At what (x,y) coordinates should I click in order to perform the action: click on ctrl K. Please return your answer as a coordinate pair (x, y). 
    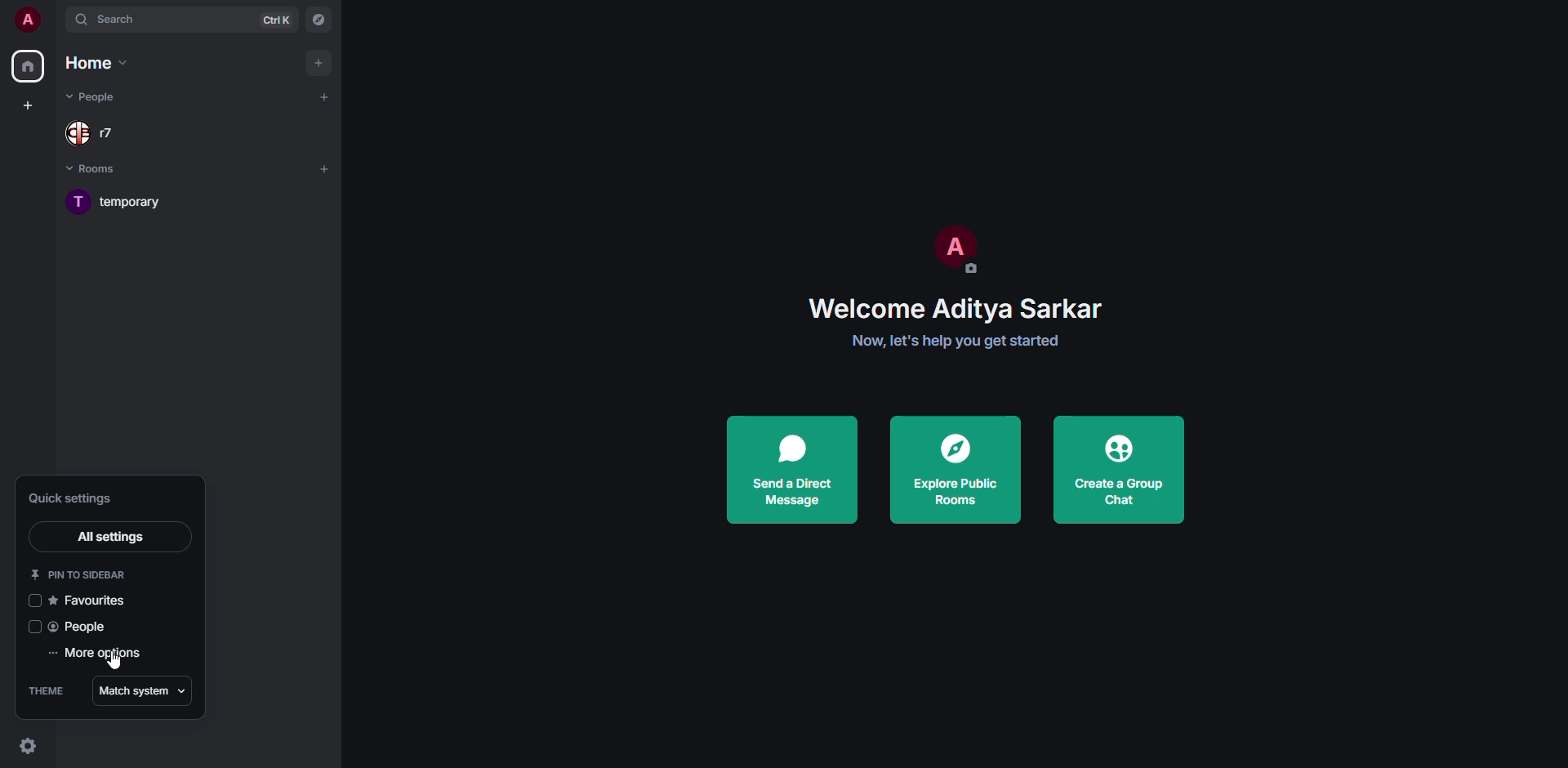
    Looking at the image, I should click on (277, 19).